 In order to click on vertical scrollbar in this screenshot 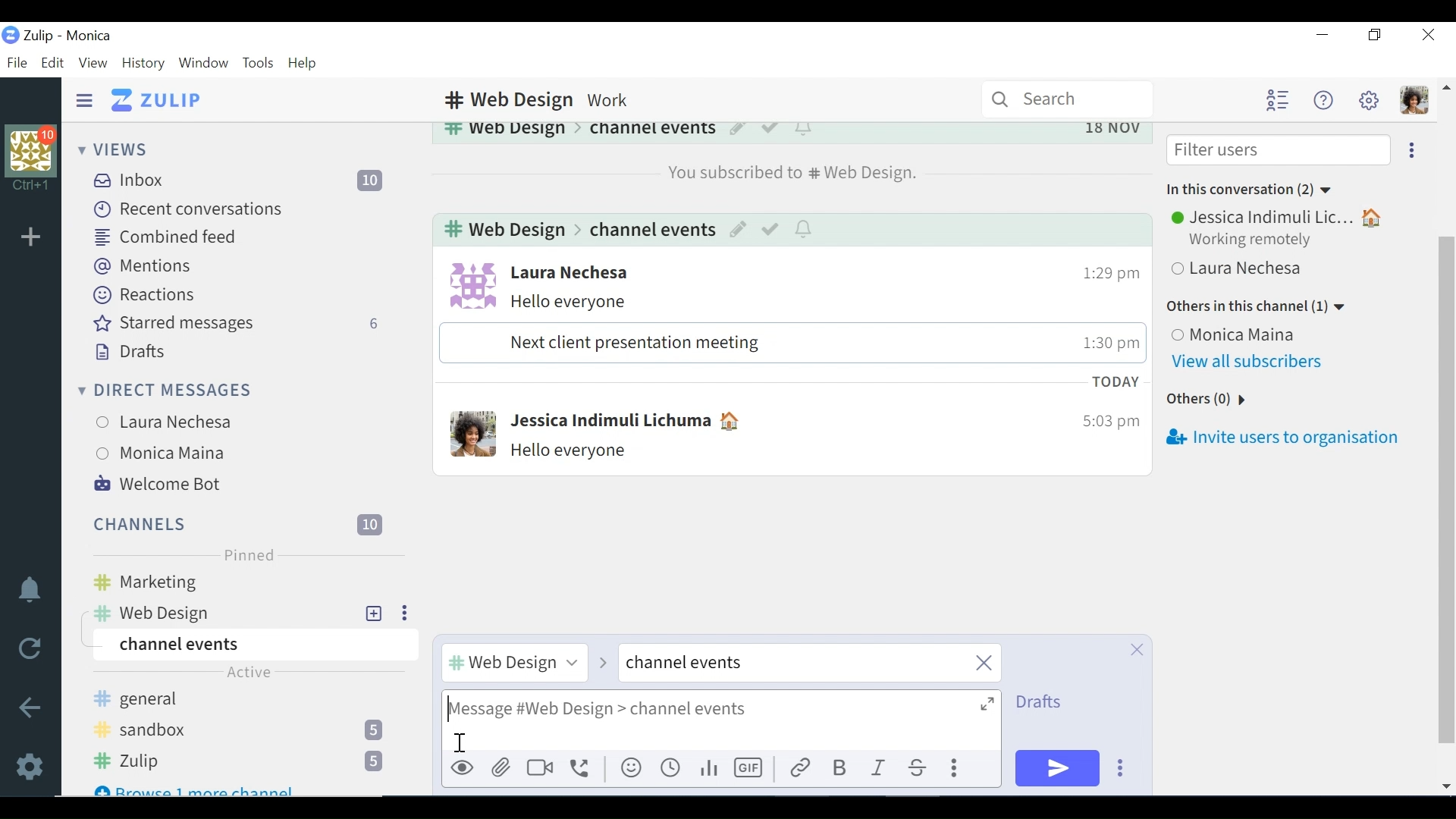, I will do `click(1451, 438)`.